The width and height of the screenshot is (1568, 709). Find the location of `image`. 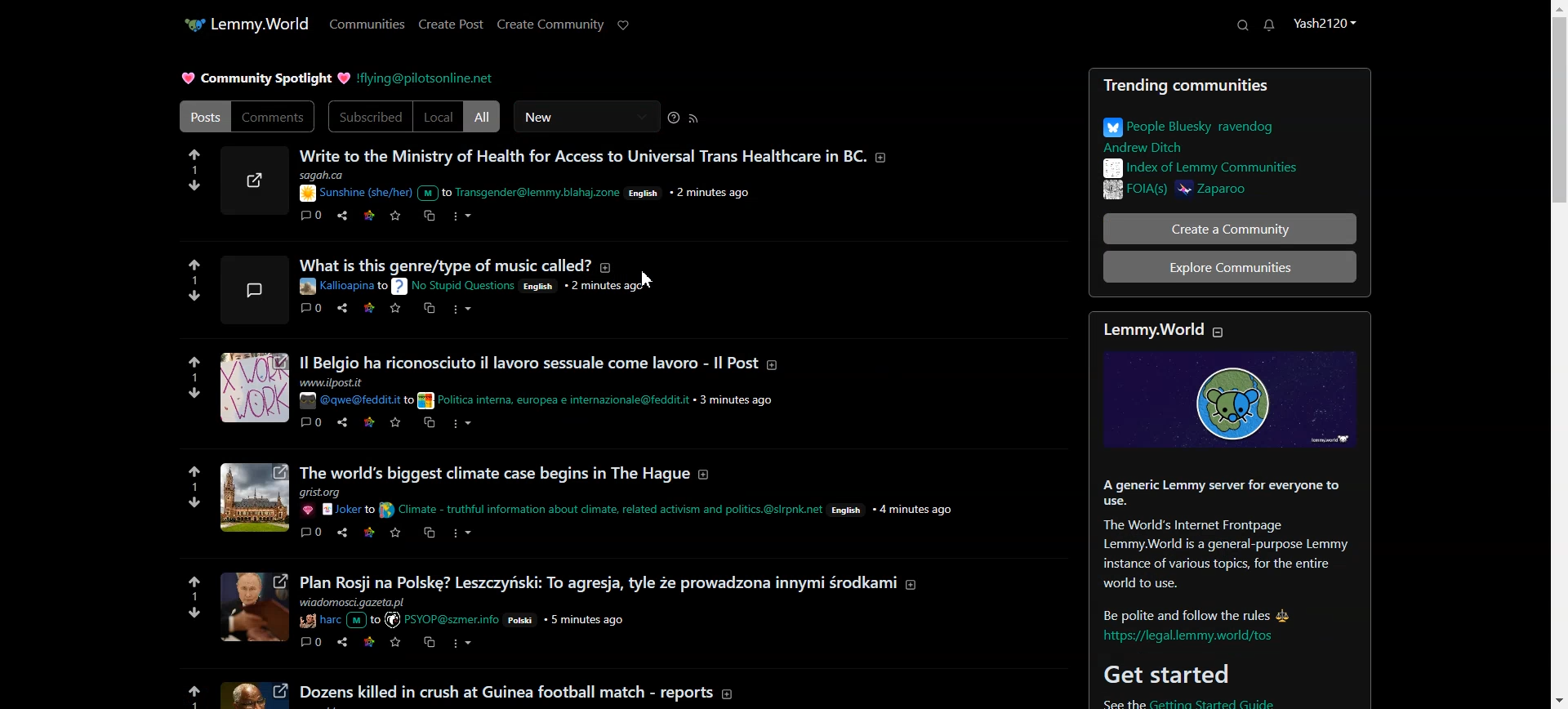

image is located at coordinates (256, 608).